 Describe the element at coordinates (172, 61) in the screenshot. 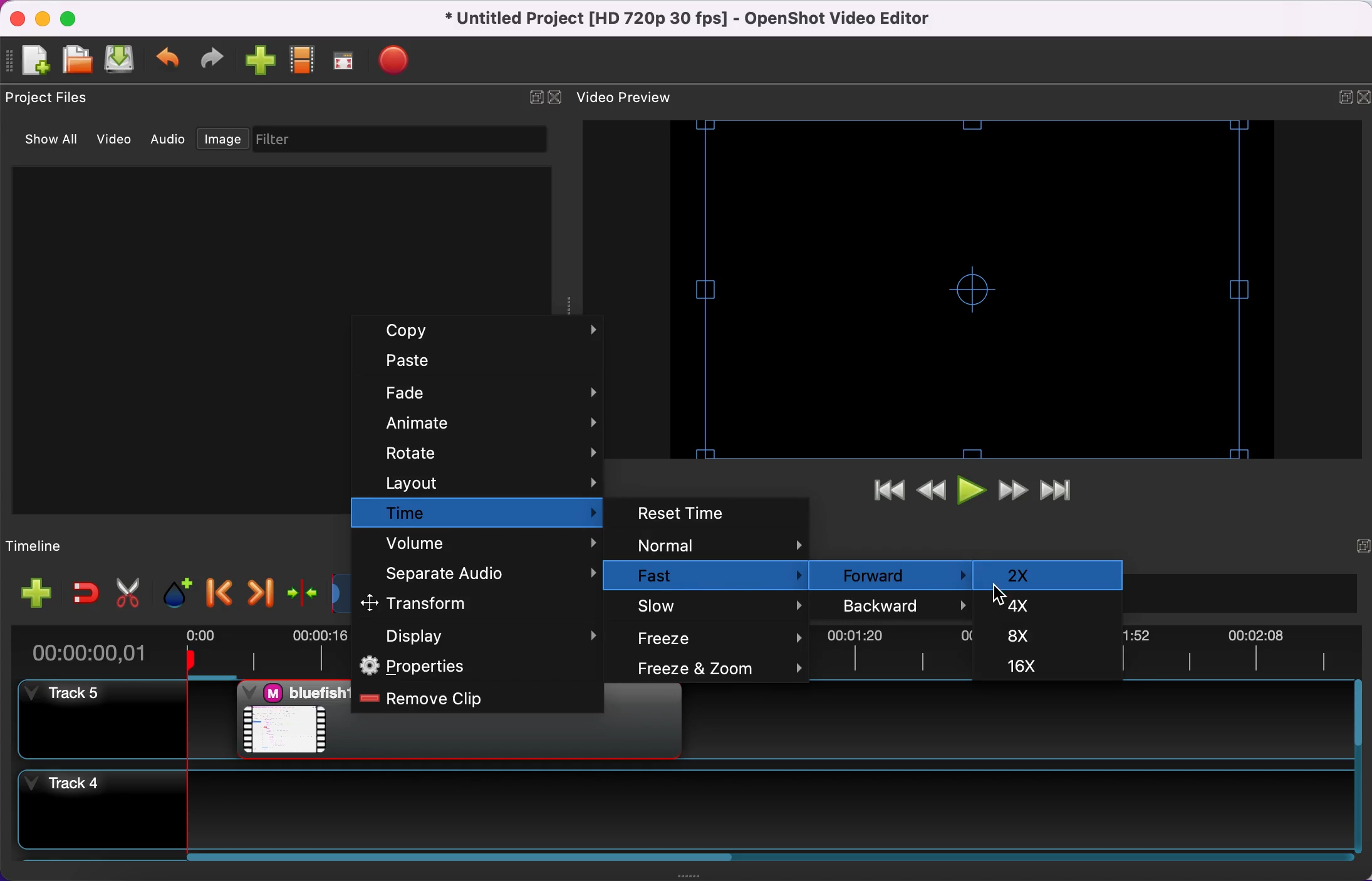

I see `undo` at that location.